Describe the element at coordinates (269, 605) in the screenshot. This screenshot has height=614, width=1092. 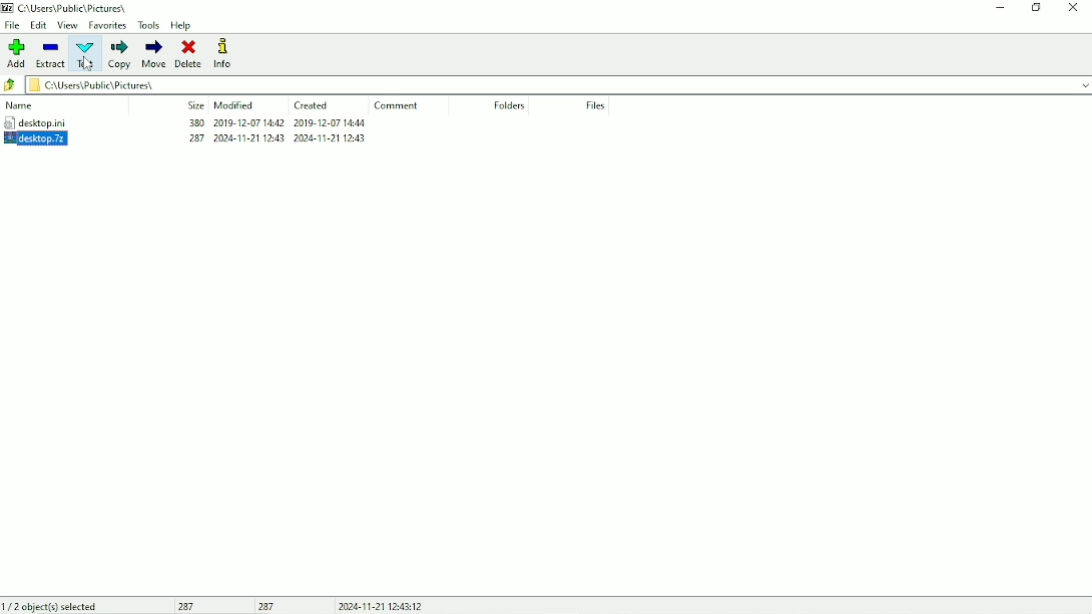
I see `287` at that location.